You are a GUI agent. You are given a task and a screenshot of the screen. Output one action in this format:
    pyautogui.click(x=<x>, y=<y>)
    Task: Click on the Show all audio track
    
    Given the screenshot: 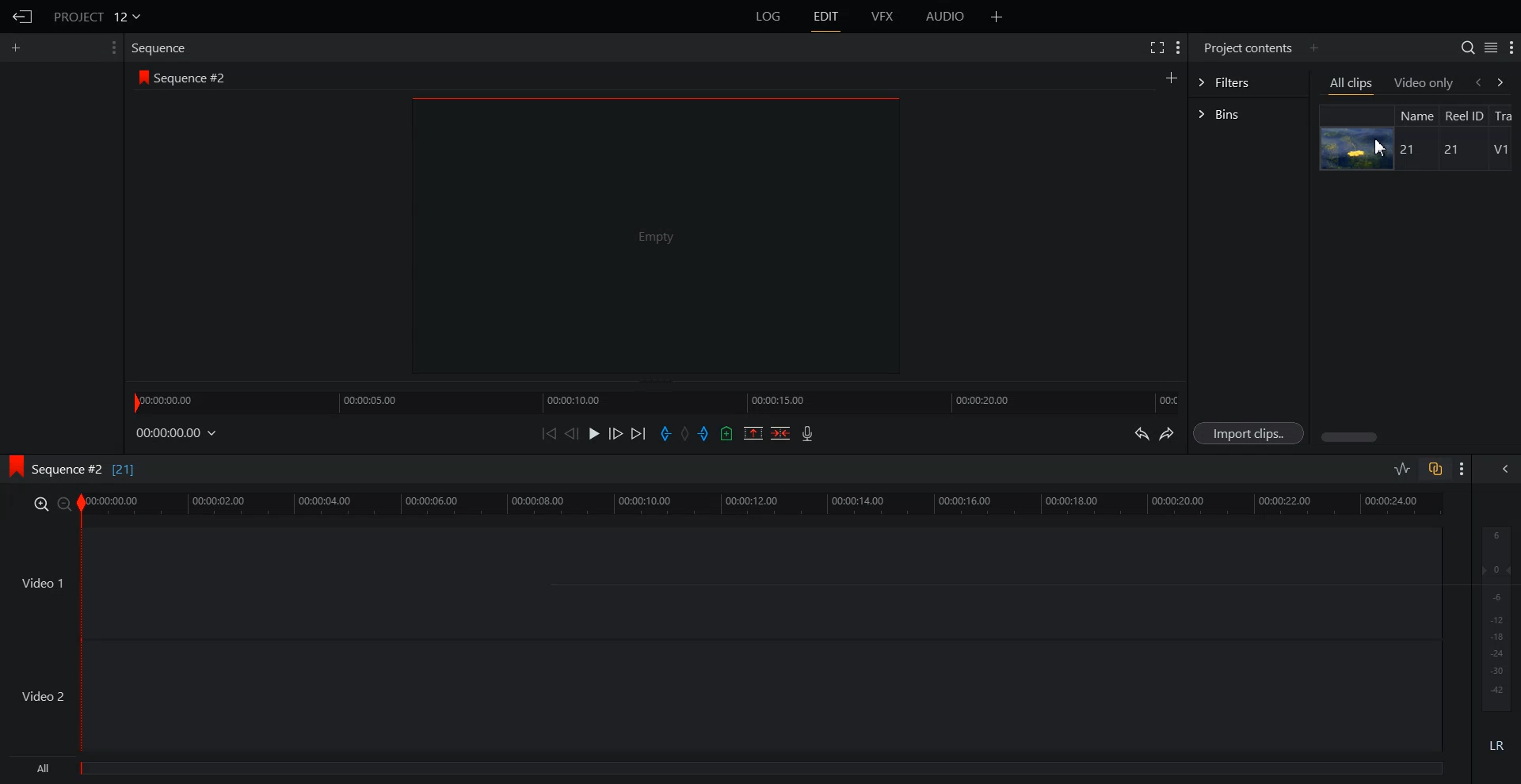 What is the action you would take?
    pyautogui.click(x=1506, y=469)
    